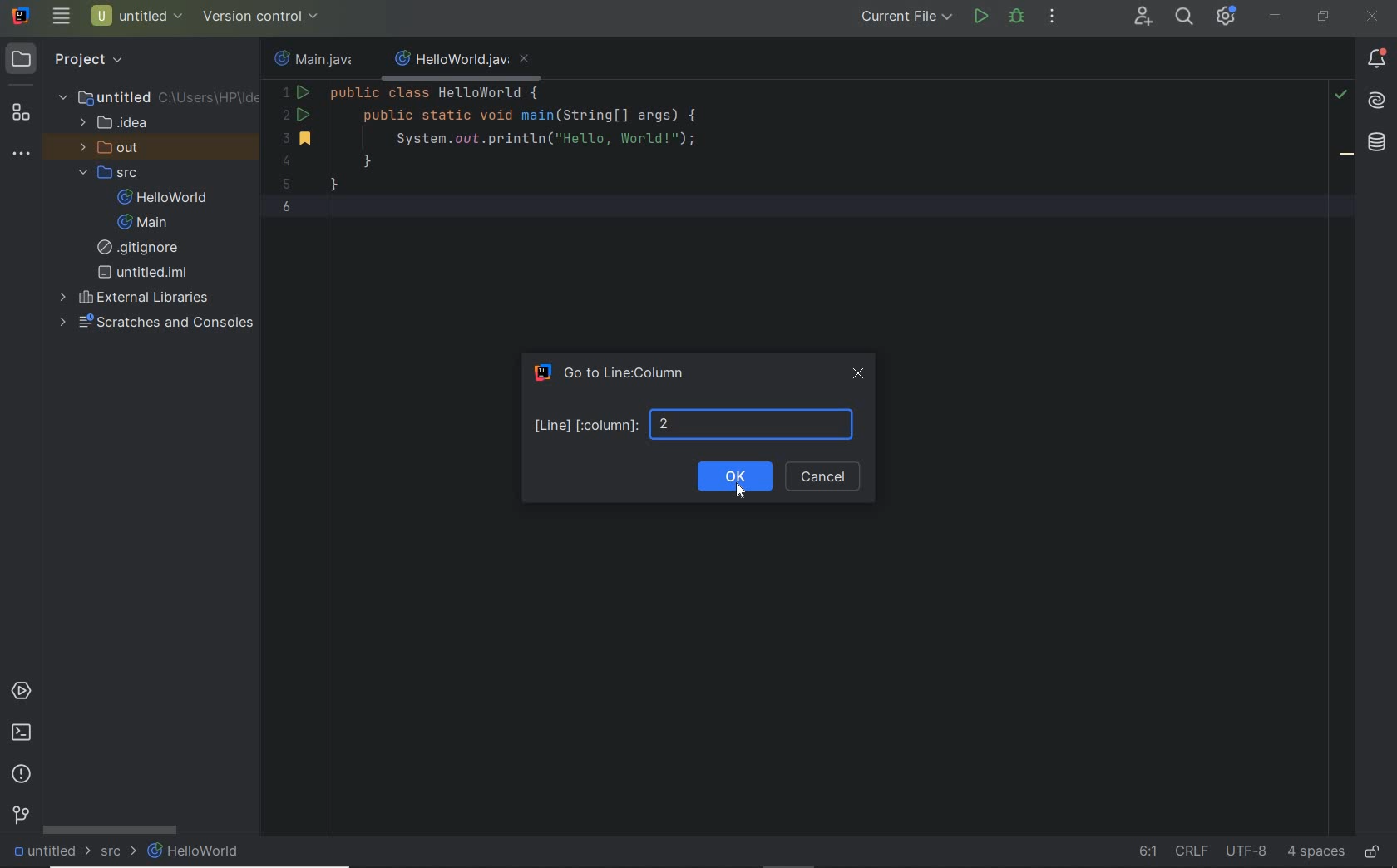  Describe the element at coordinates (860, 375) in the screenshot. I see `close` at that location.